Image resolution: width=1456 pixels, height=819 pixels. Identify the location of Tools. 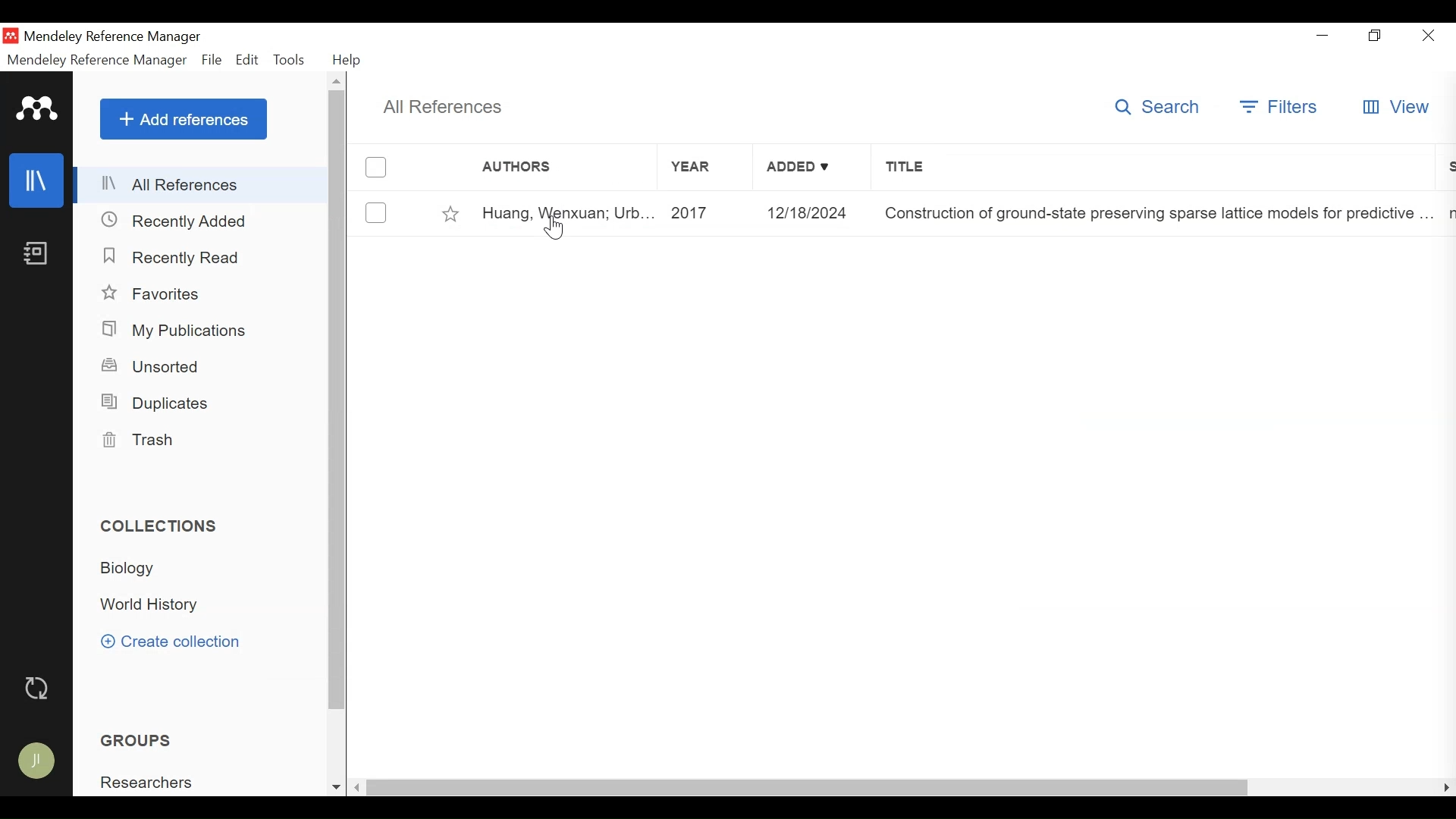
(292, 60).